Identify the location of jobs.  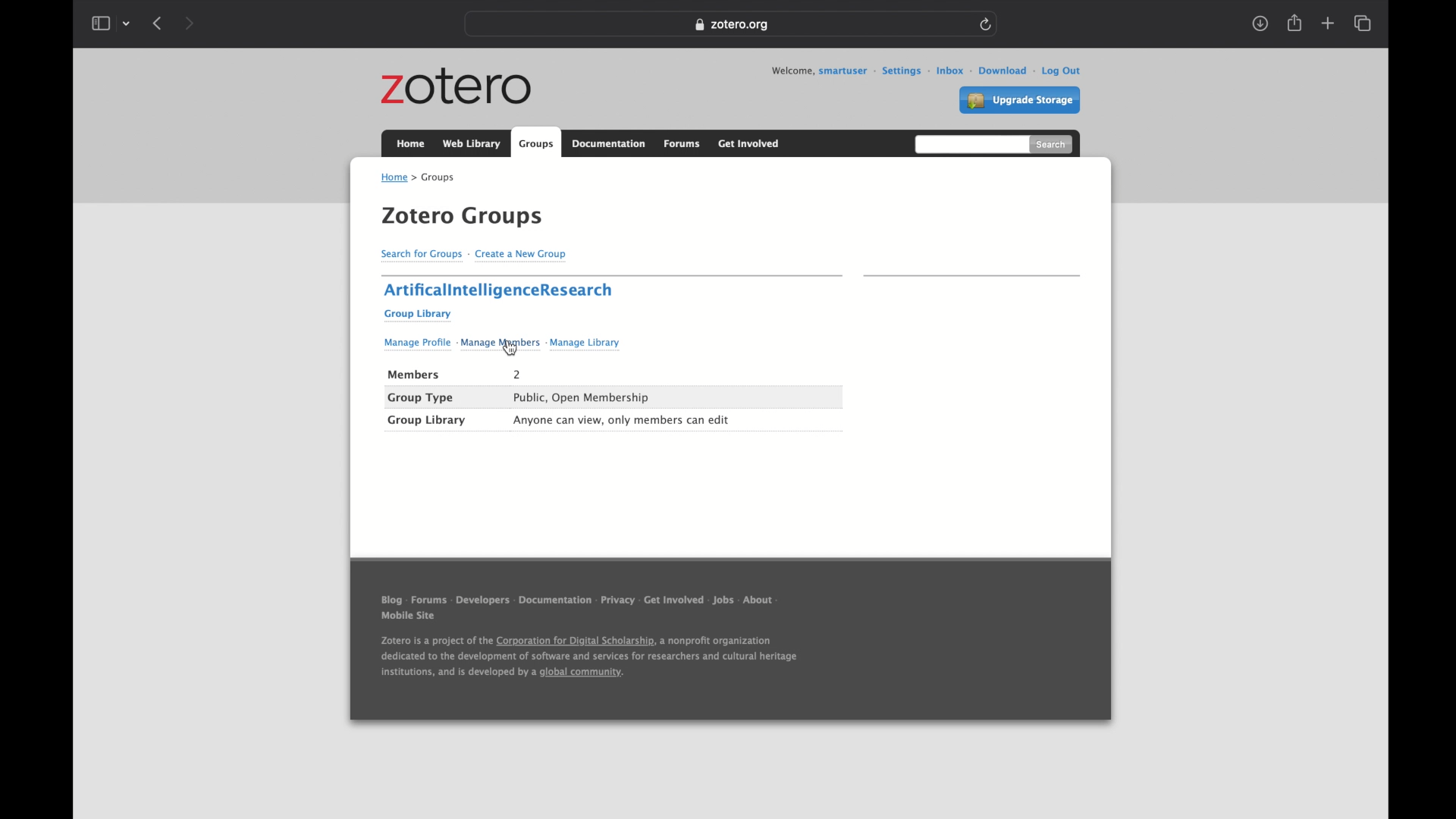
(723, 600).